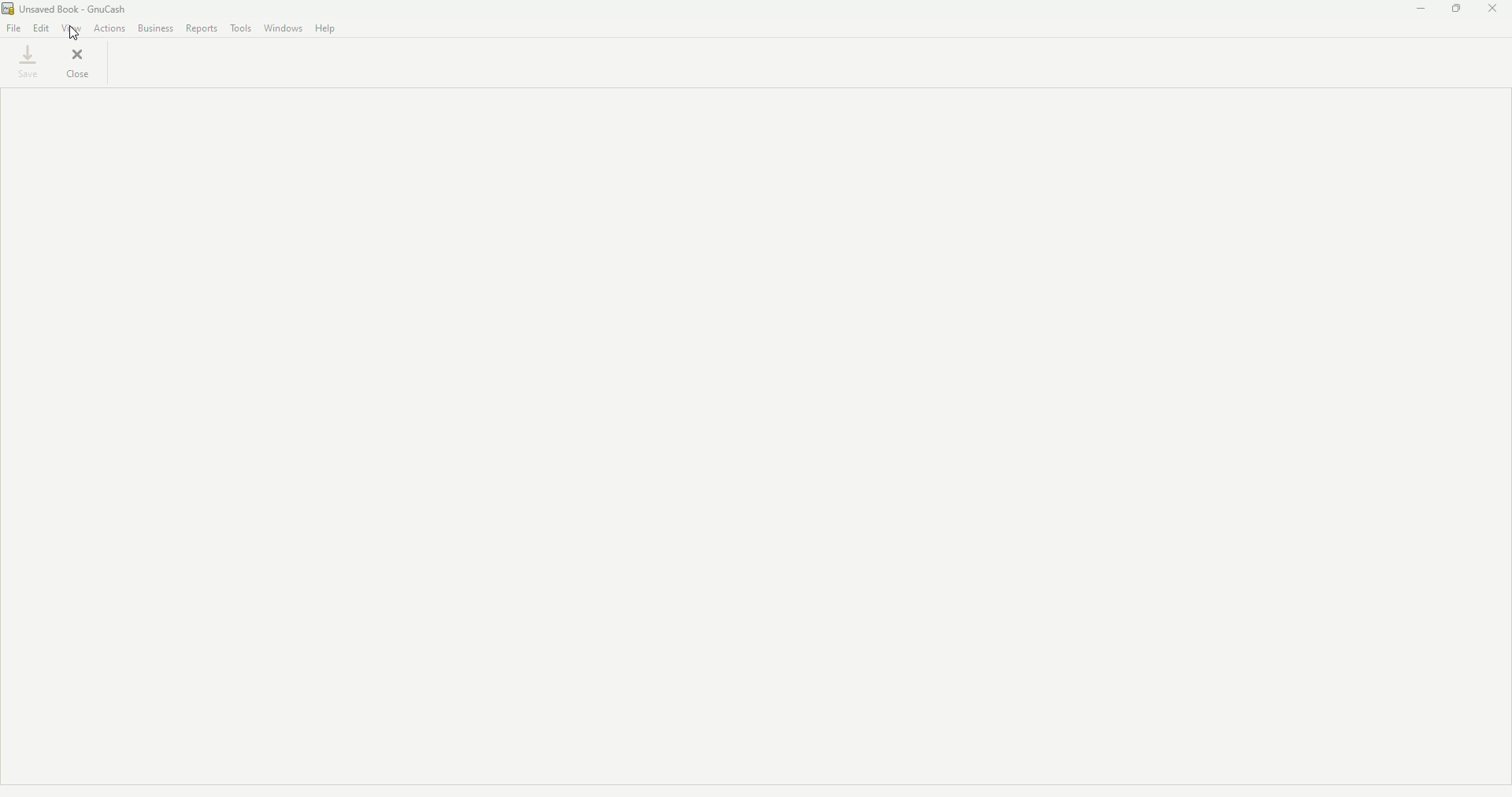  What do you see at coordinates (80, 63) in the screenshot?
I see `Close` at bounding box center [80, 63].